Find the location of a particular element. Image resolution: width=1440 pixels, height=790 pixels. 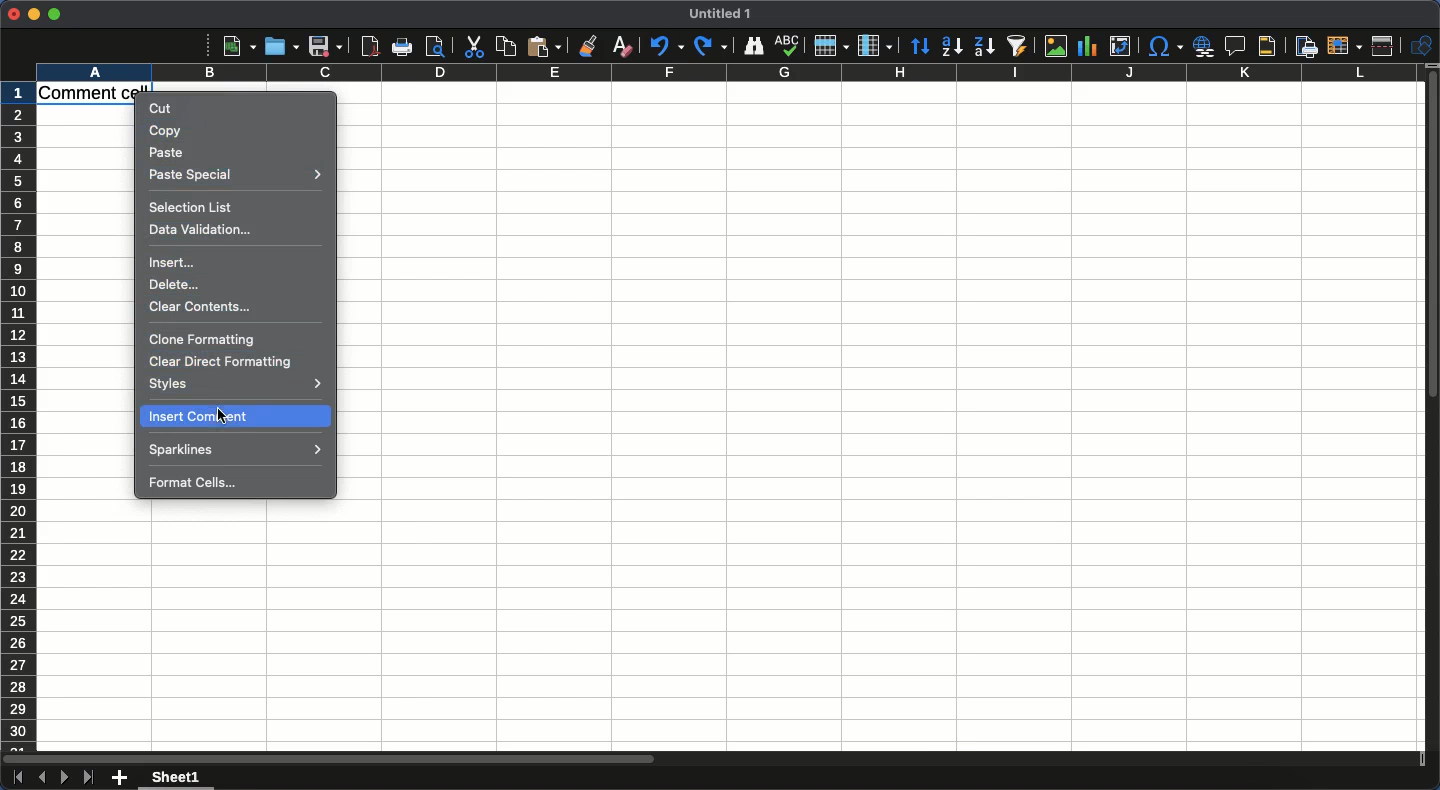

Title is located at coordinates (722, 14).